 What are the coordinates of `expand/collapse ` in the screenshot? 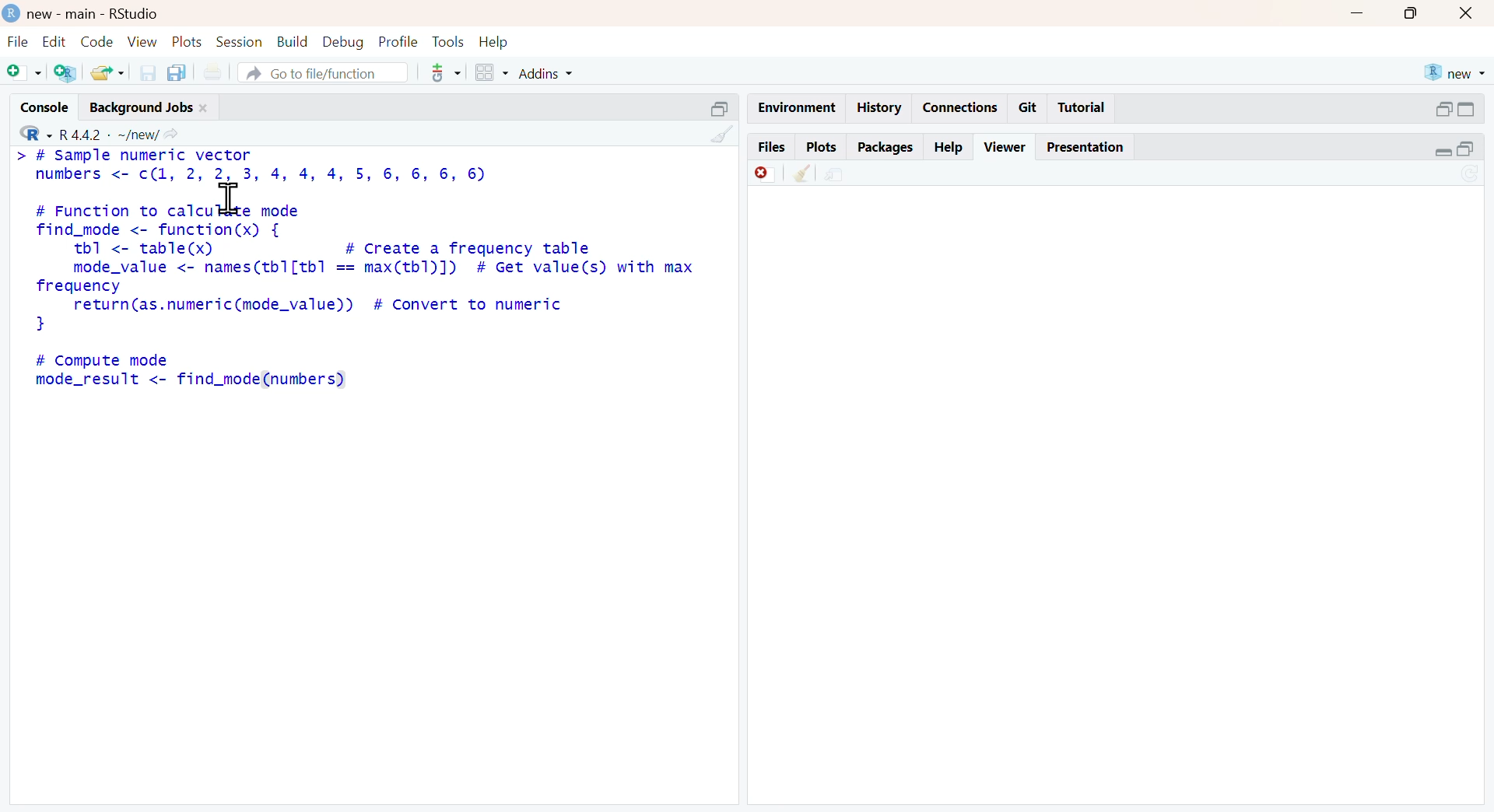 It's located at (721, 108).